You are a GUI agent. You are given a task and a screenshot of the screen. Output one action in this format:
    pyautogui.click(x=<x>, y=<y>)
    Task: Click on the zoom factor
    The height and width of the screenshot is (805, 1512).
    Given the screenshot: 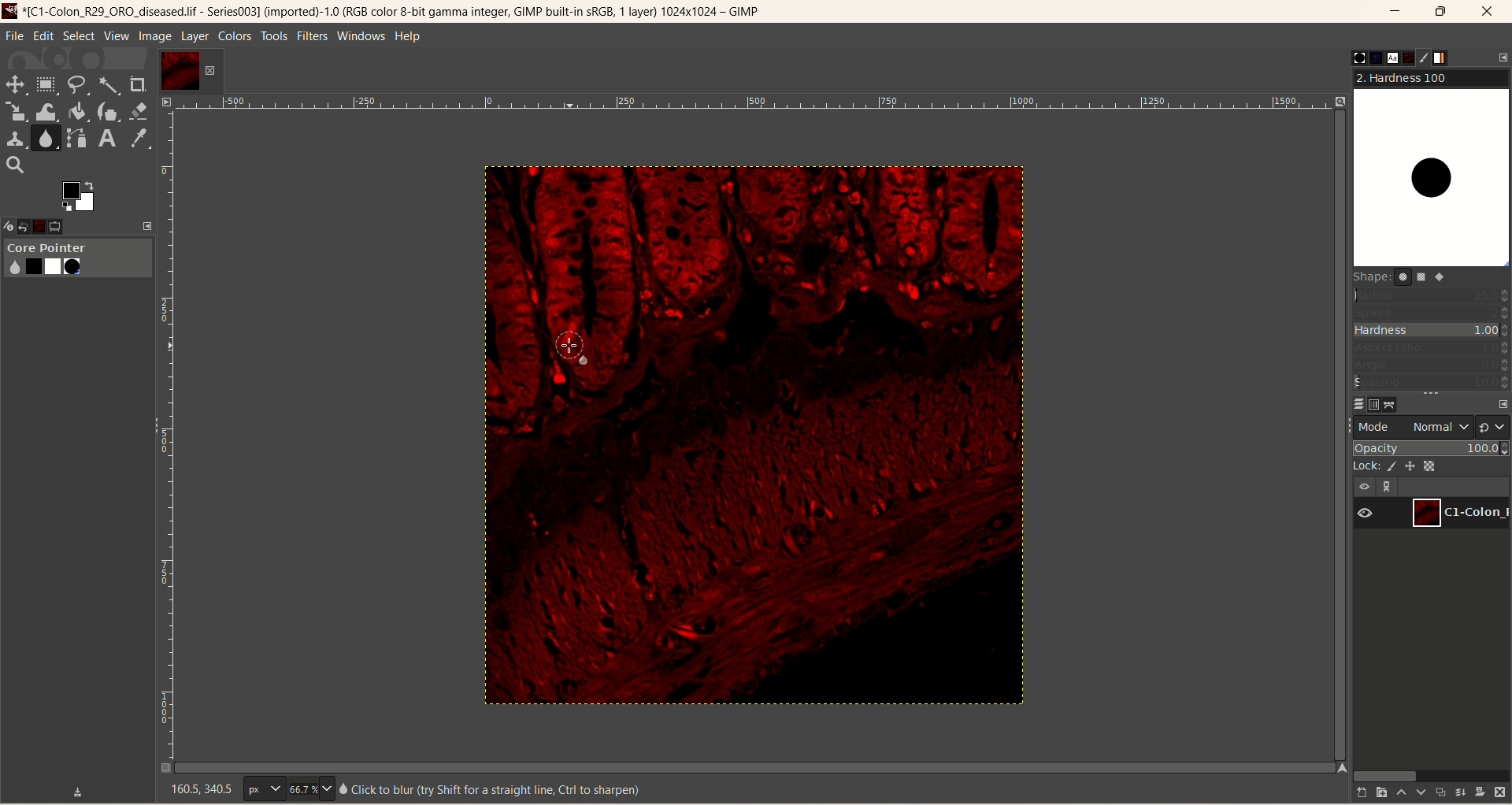 What is the action you would take?
    pyautogui.click(x=309, y=789)
    